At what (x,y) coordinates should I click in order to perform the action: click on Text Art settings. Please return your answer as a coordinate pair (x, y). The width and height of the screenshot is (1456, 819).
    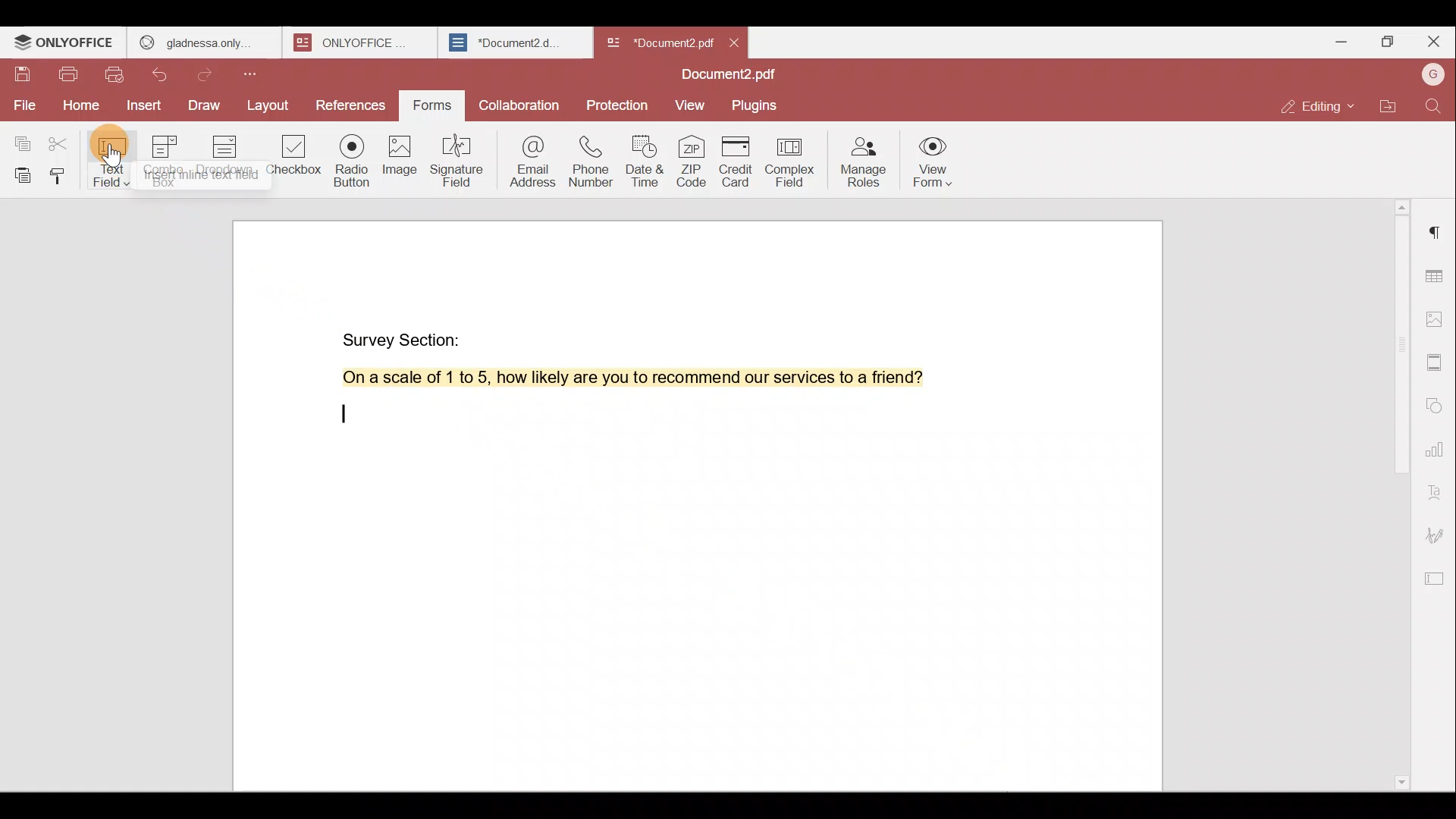
    Looking at the image, I should click on (1437, 488).